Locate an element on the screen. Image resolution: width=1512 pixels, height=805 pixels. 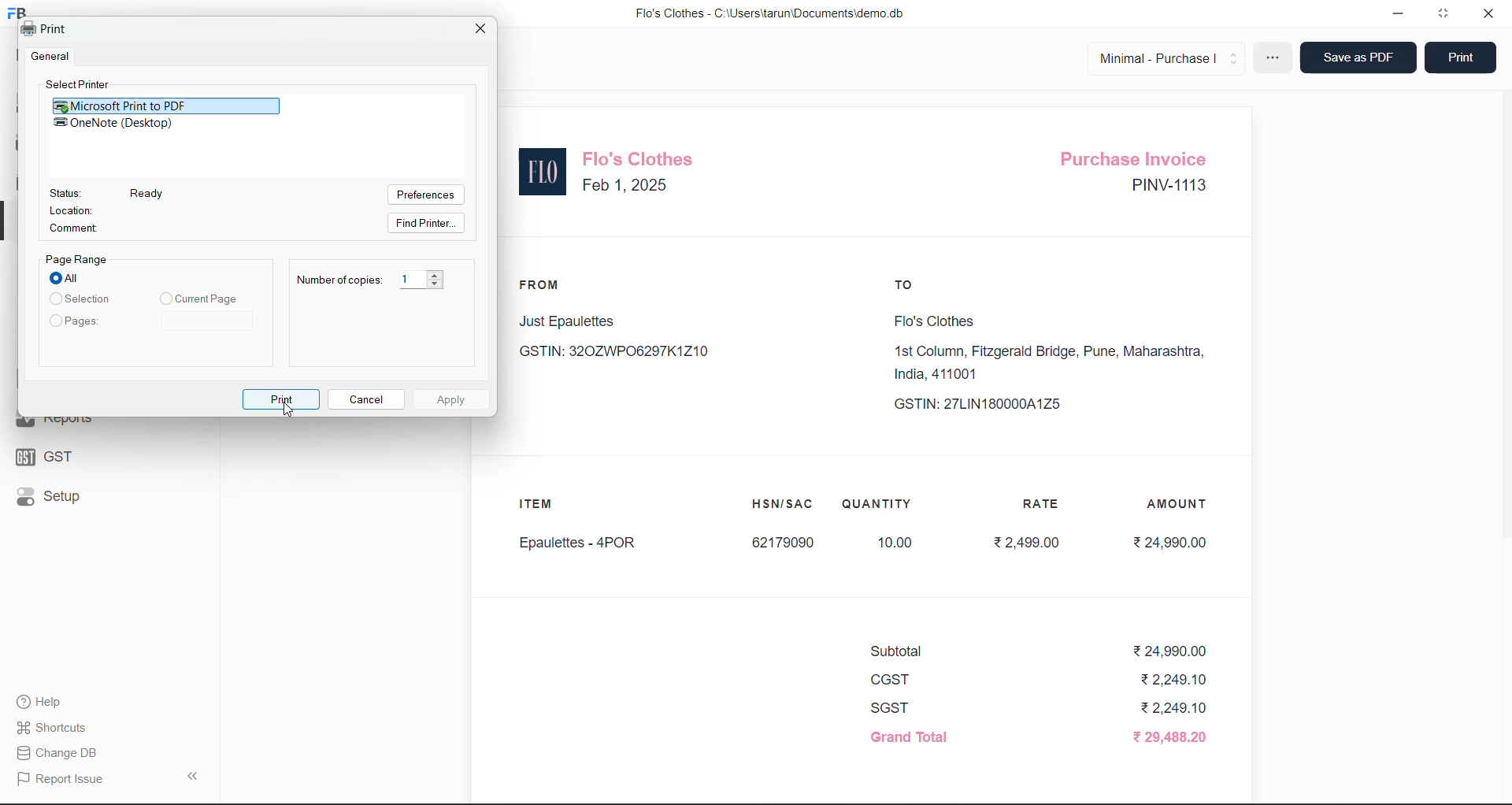
 AMOUNT is located at coordinates (1179, 502).